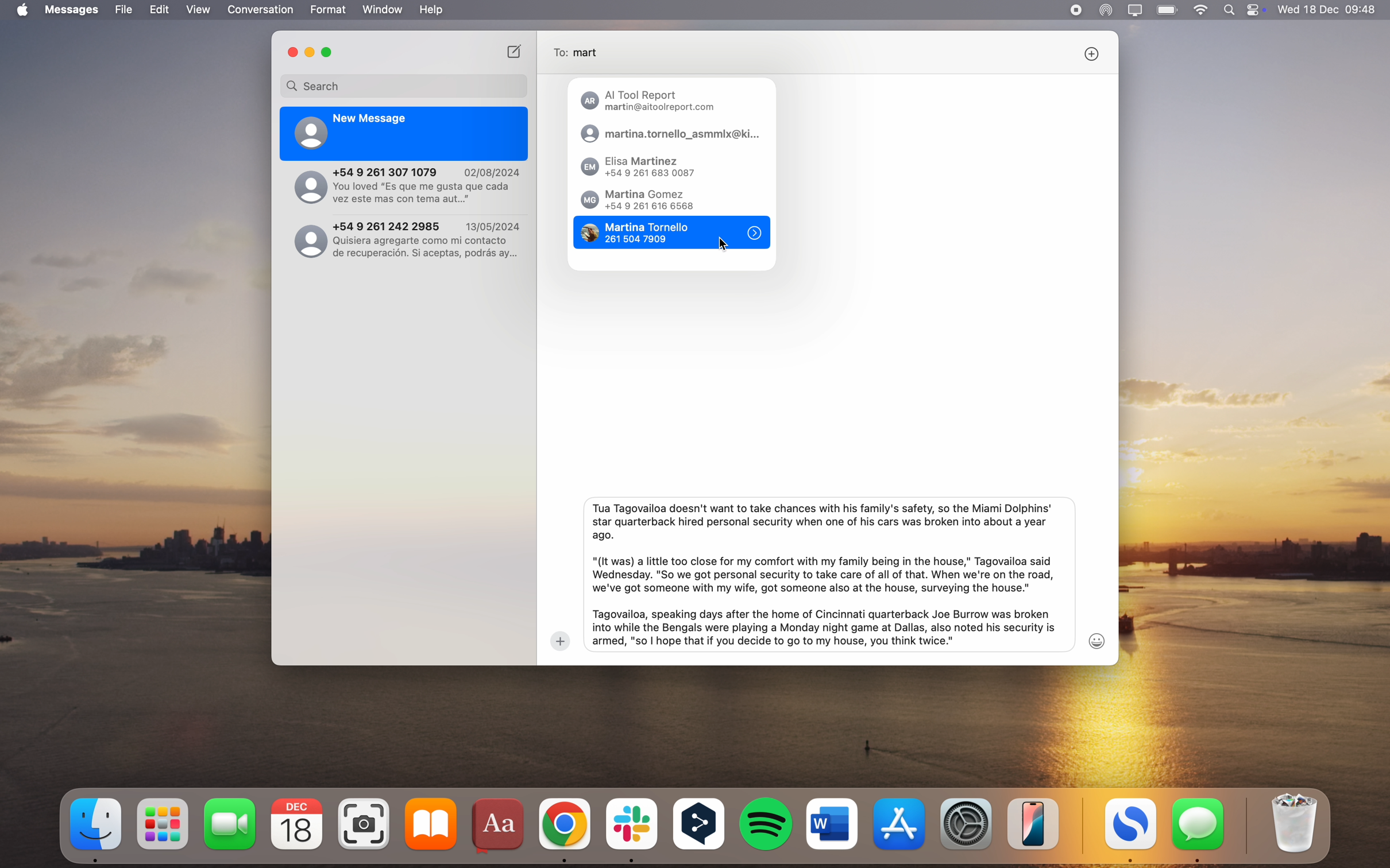 The width and height of the screenshot is (1390, 868). What do you see at coordinates (644, 168) in the screenshot?
I see `Elisa martinez` at bounding box center [644, 168].